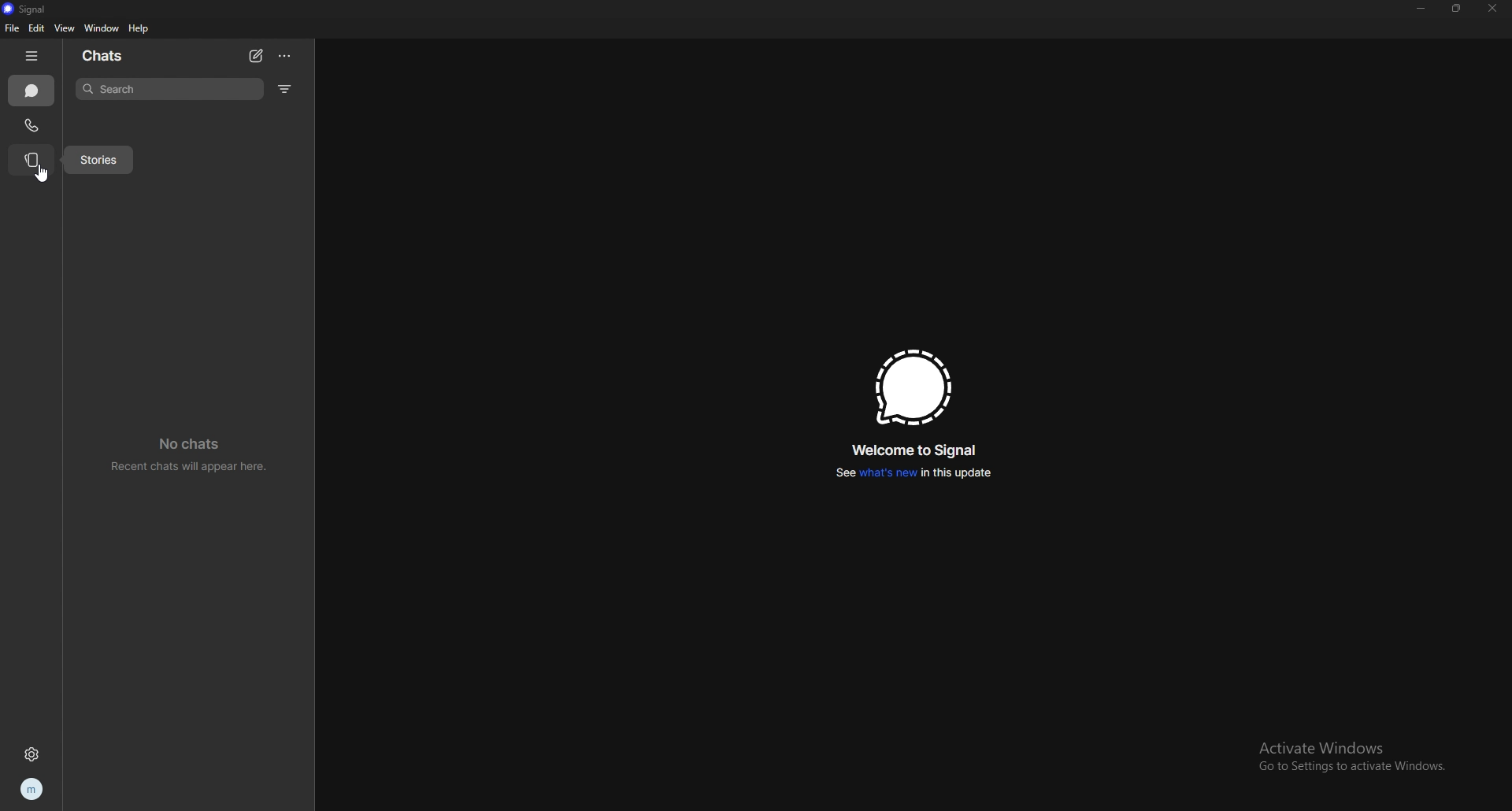 The width and height of the screenshot is (1512, 811). I want to click on options, so click(287, 57).